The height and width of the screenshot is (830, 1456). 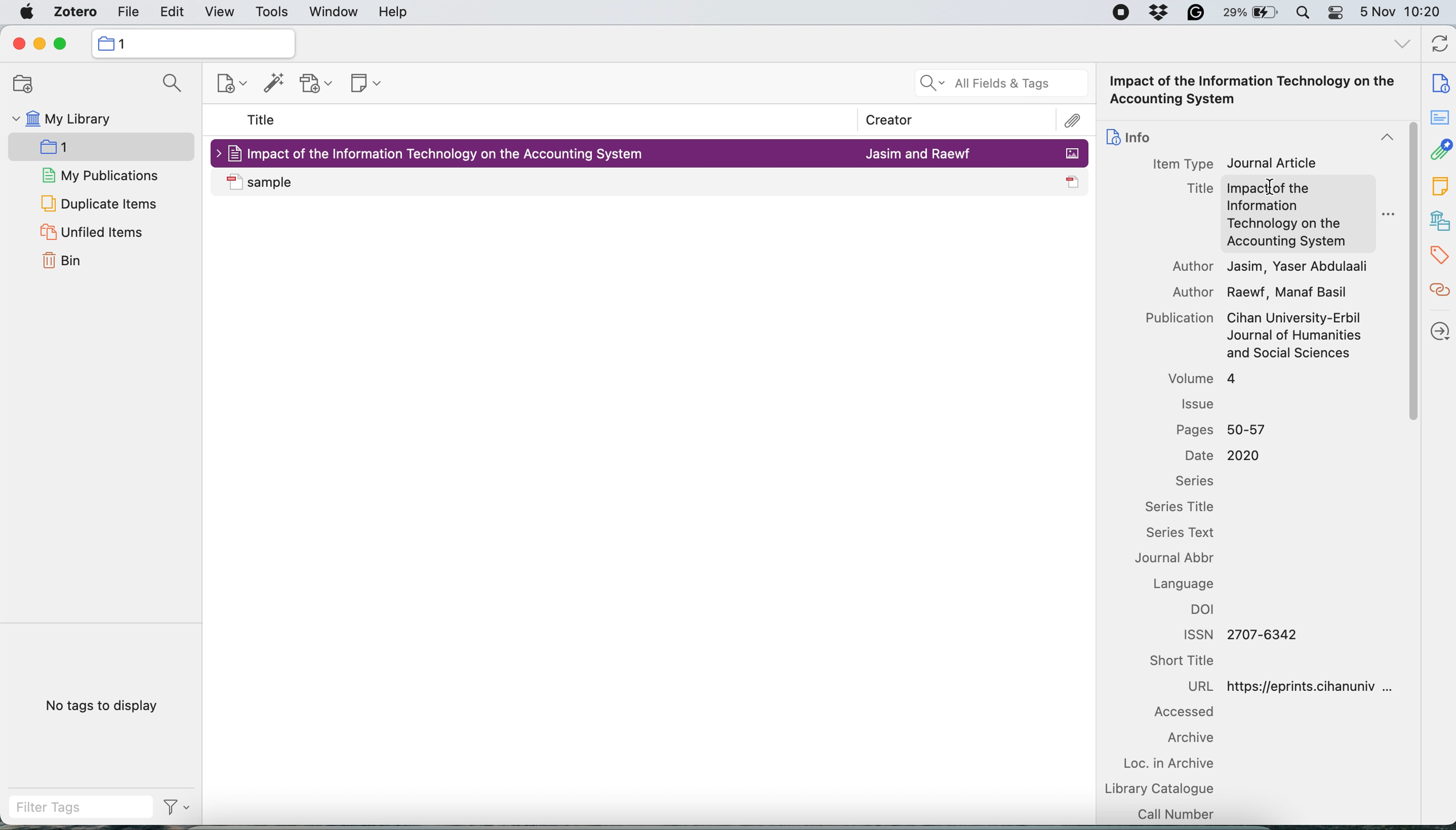 I want to click on cursor, so click(x=1272, y=189).